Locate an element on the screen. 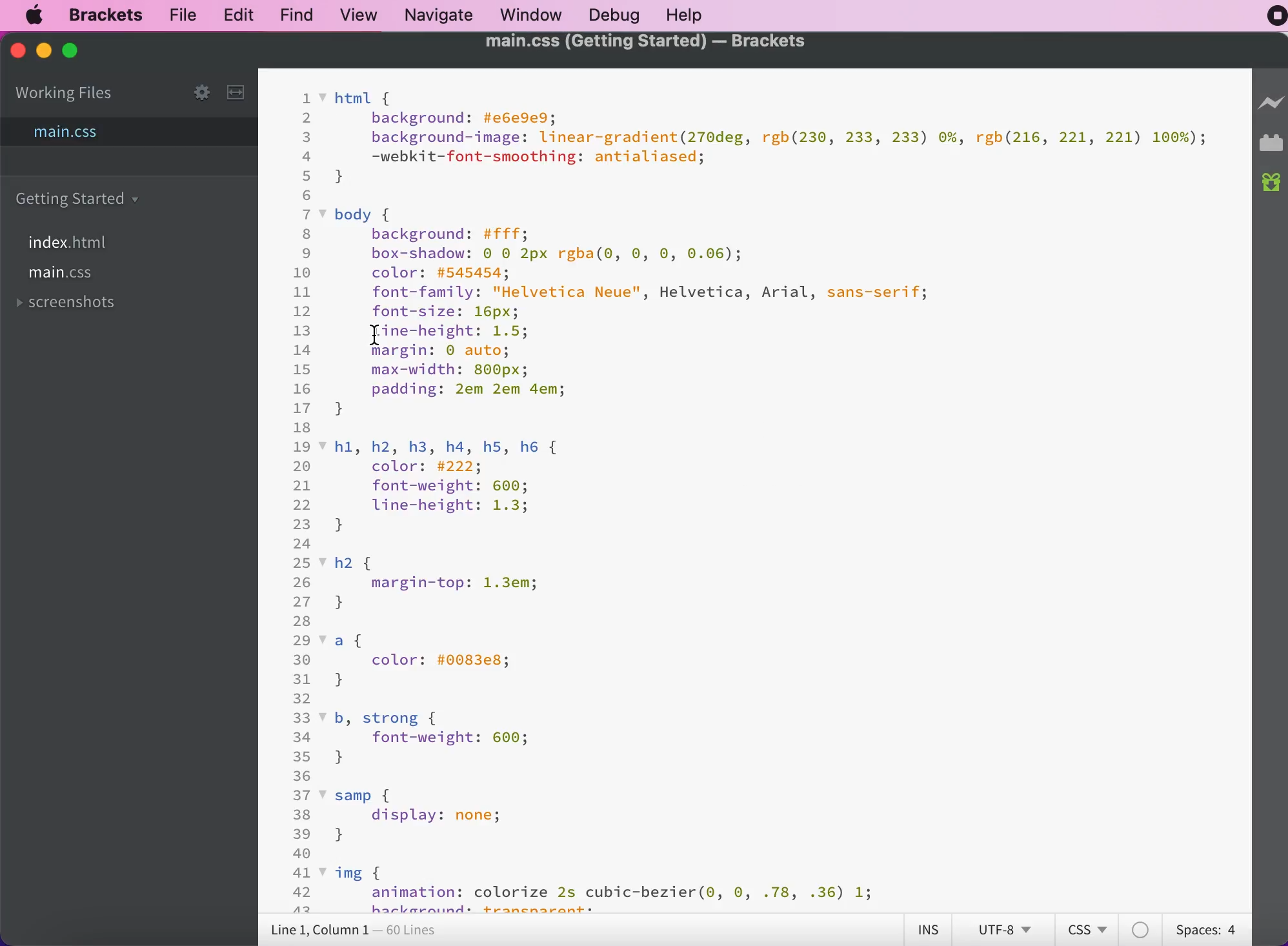 This screenshot has height=946, width=1288. close is located at coordinates (17, 53).